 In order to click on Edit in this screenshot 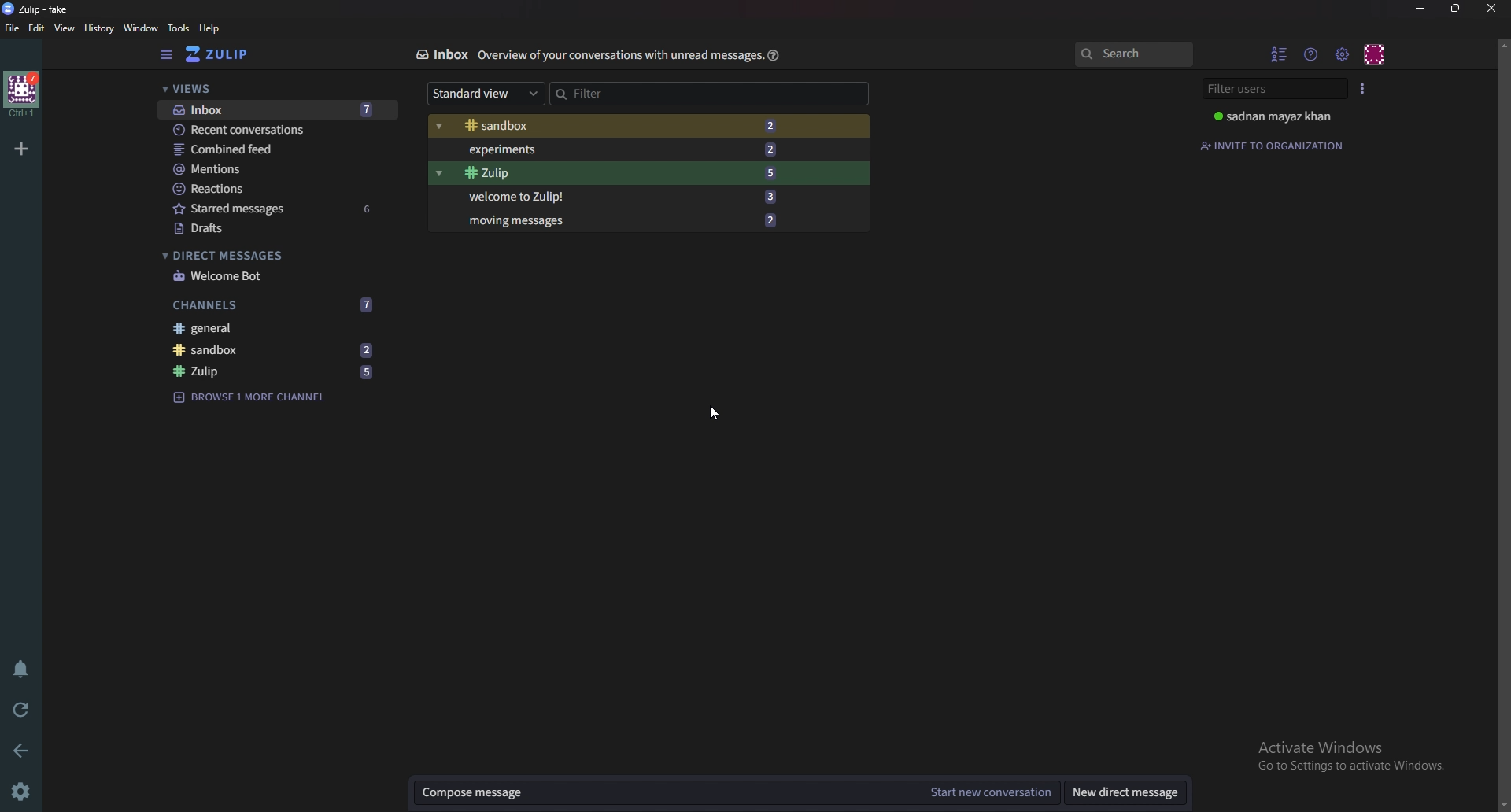, I will do `click(38, 28)`.